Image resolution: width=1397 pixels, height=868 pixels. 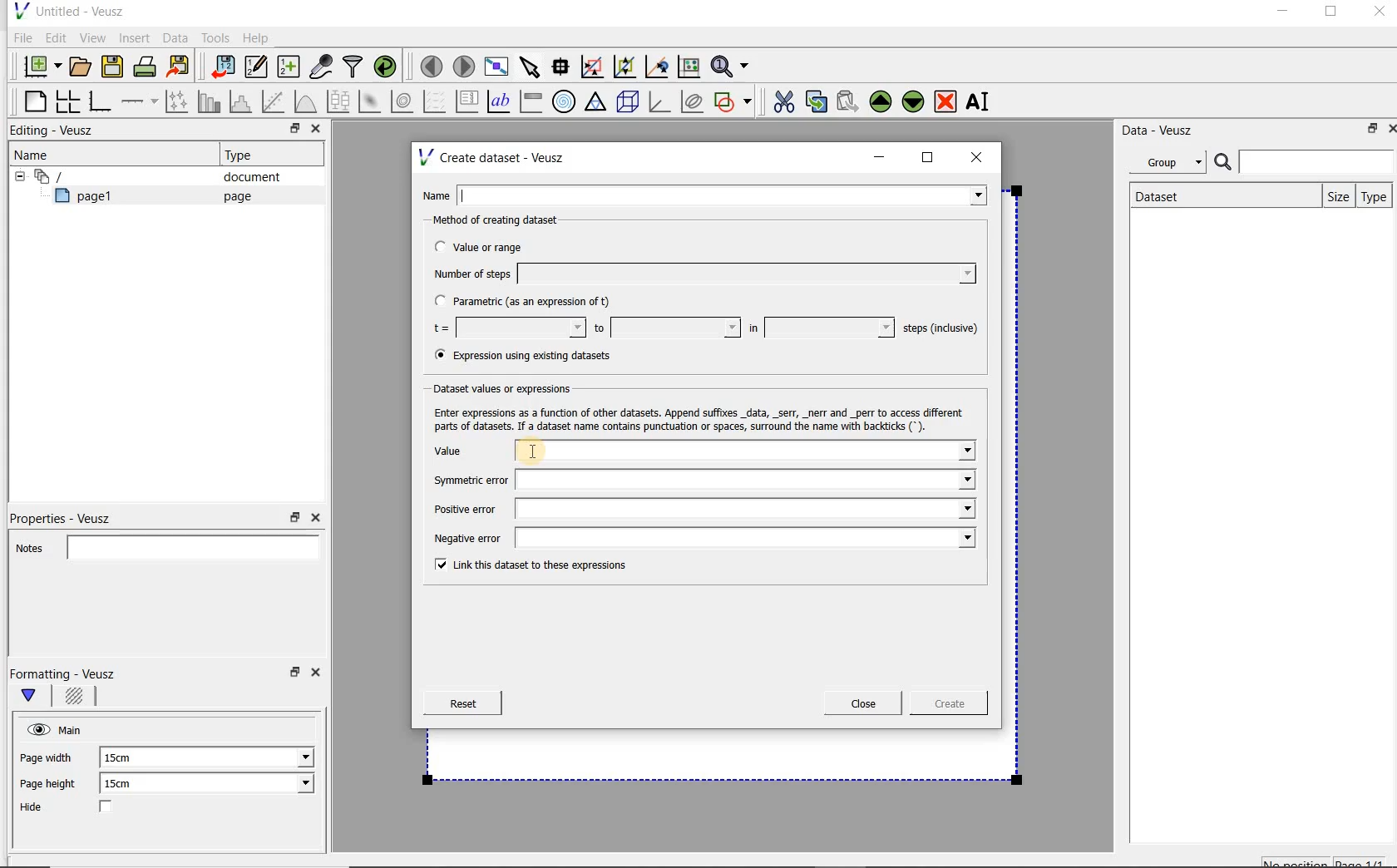 What do you see at coordinates (946, 101) in the screenshot?
I see `remove the selected widget` at bounding box center [946, 101].